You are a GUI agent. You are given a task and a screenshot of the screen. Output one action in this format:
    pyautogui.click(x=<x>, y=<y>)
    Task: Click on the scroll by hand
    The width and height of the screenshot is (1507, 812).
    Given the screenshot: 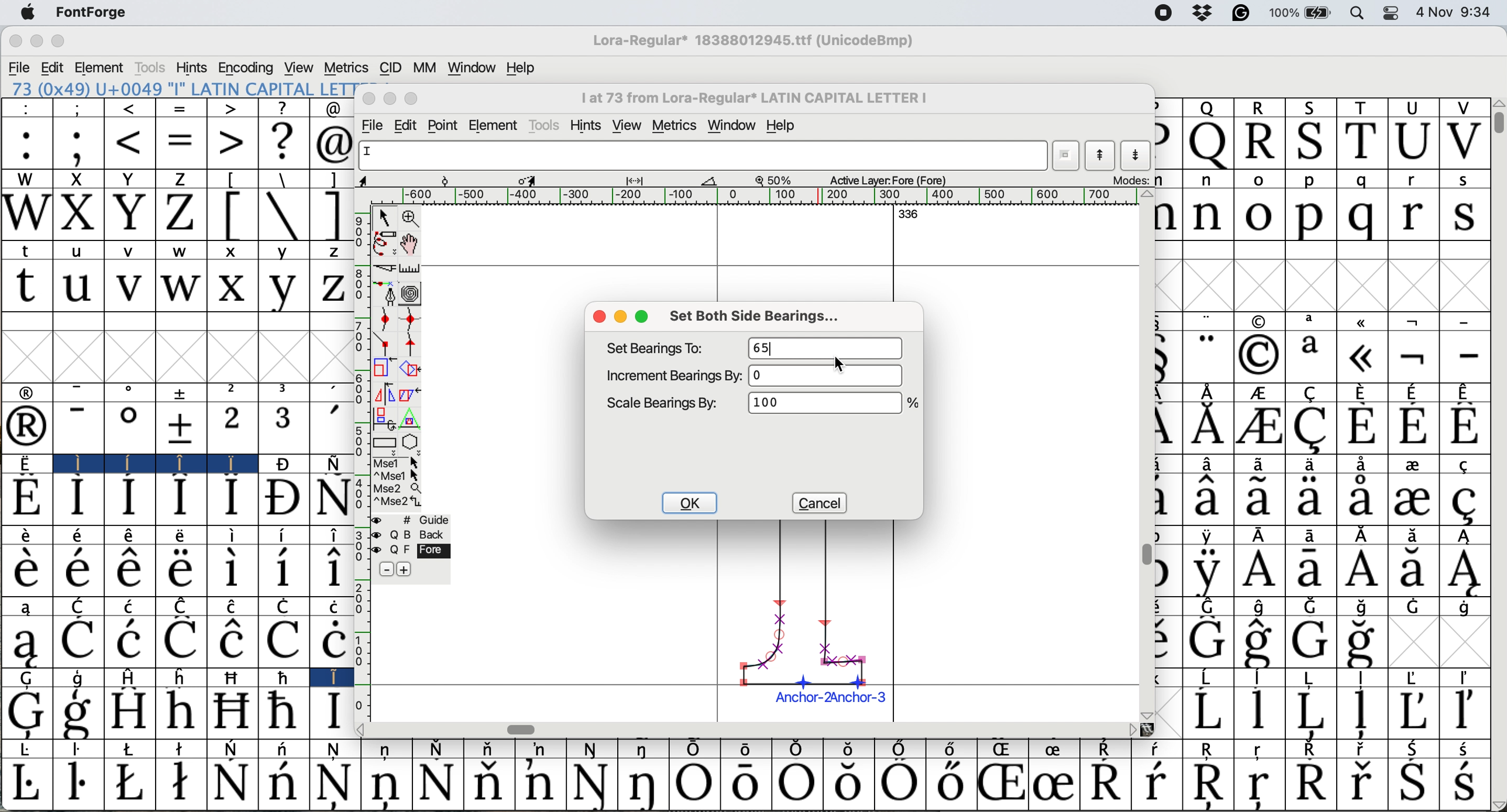 What is the action you would take?
    pyautogui.click(x=411, y=243)
    